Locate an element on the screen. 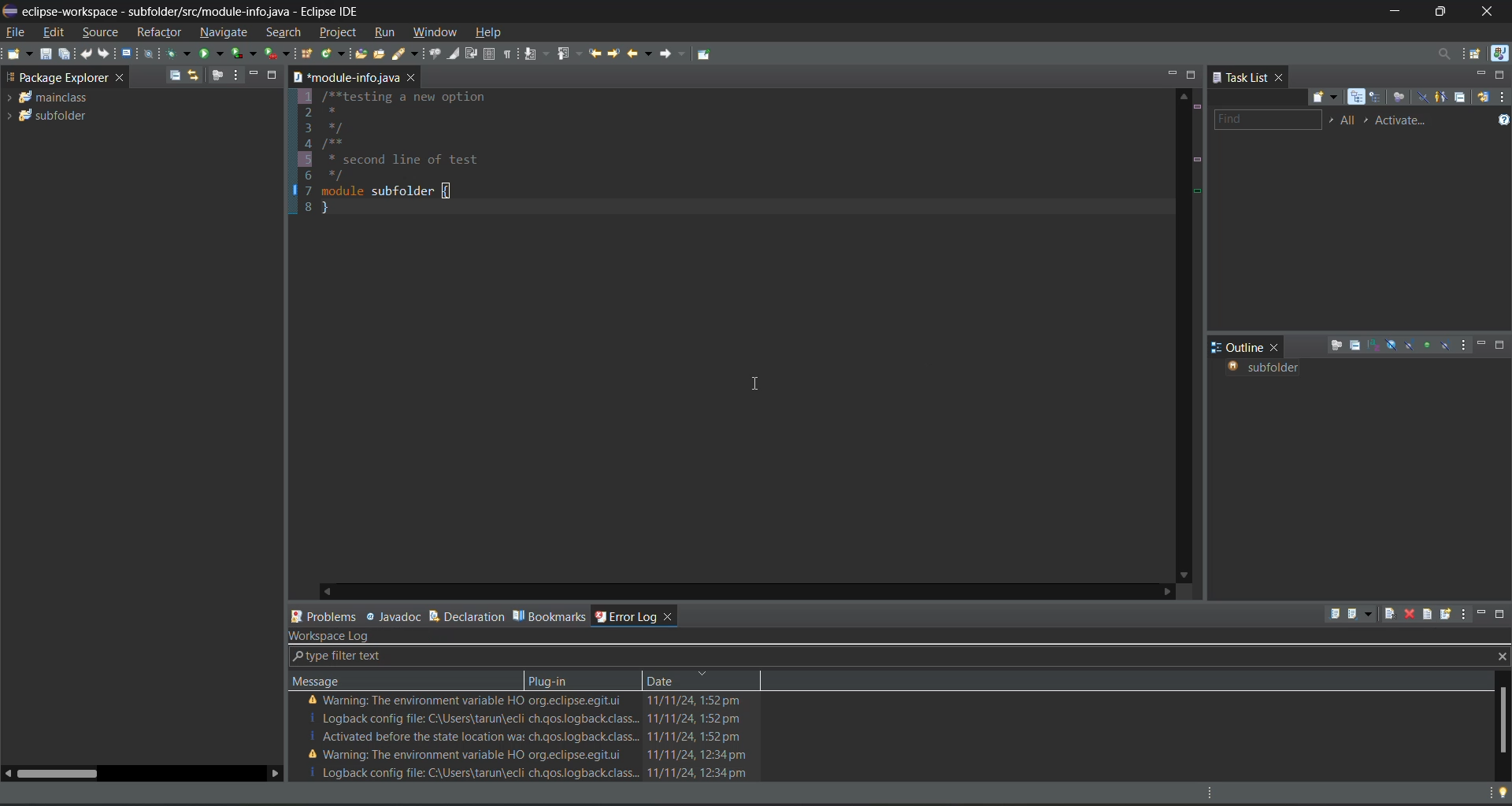 The height and width of the screenshot is (806, 1512). restore log is located at coordinates (1449, 615).